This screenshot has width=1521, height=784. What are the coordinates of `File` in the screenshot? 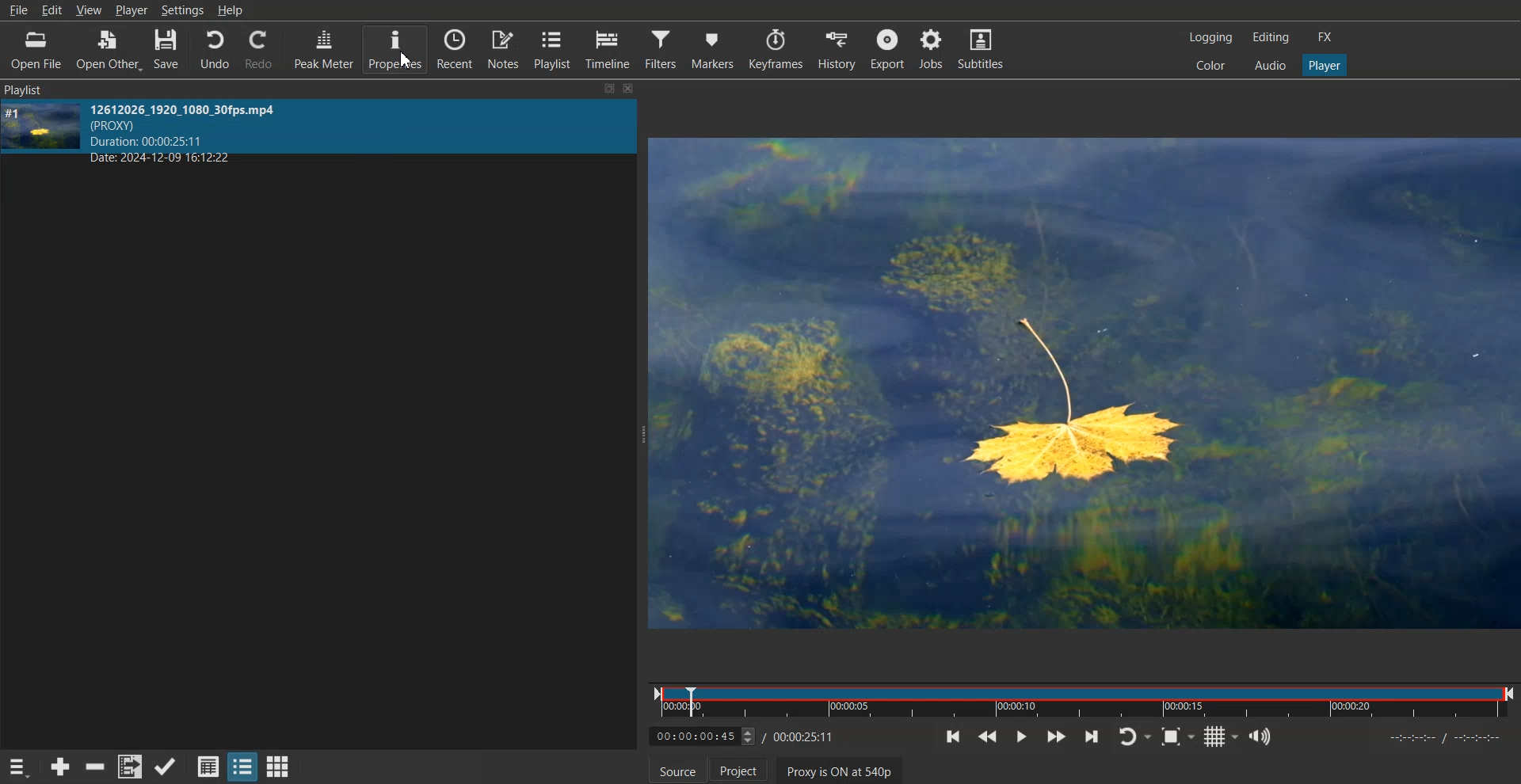 It's located at (18, 10).